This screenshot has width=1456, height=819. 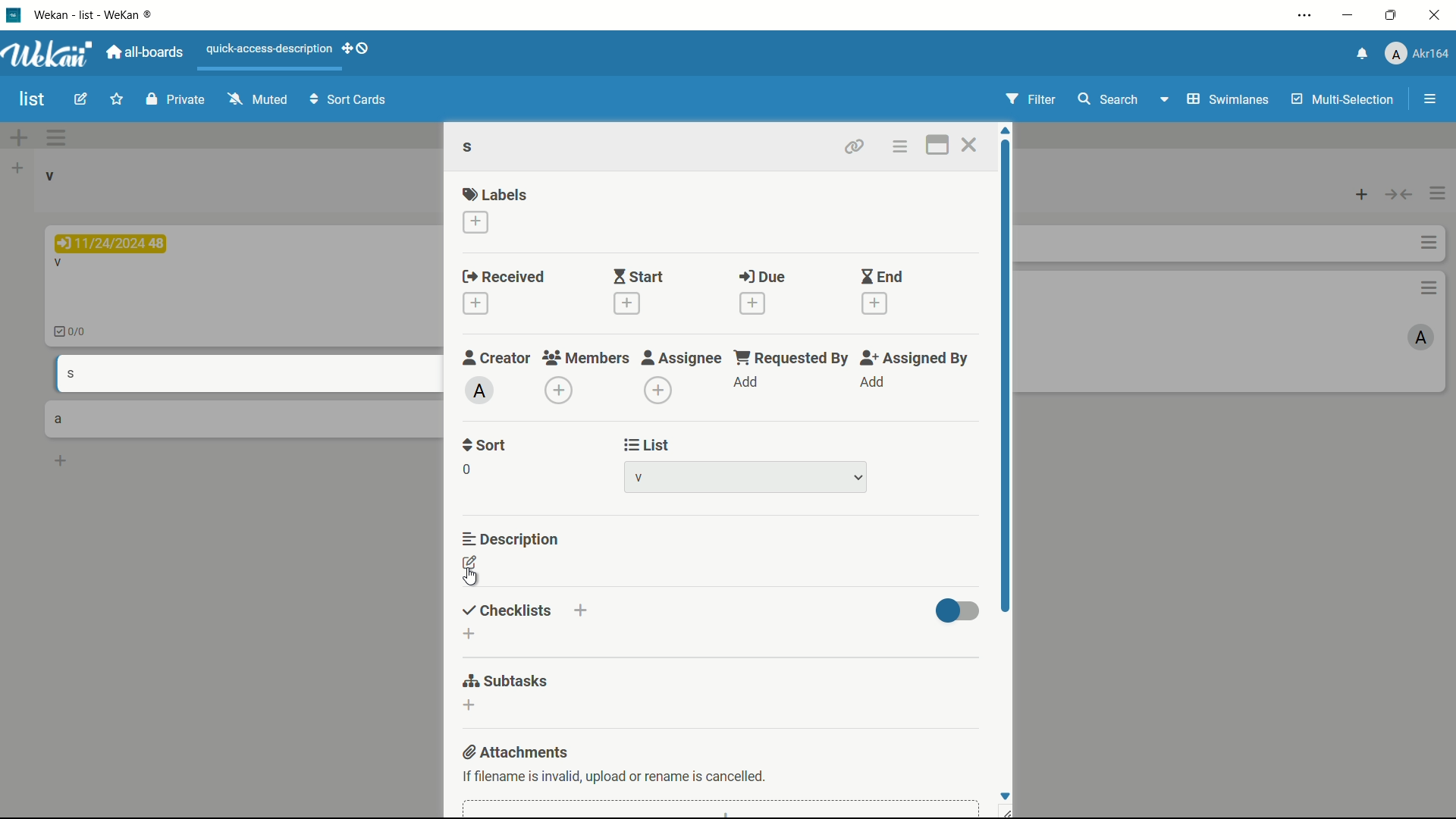 What do you see at coordinates (116, 101) in the screenshot?
I see `star this board` at bounding box center [116, 101].